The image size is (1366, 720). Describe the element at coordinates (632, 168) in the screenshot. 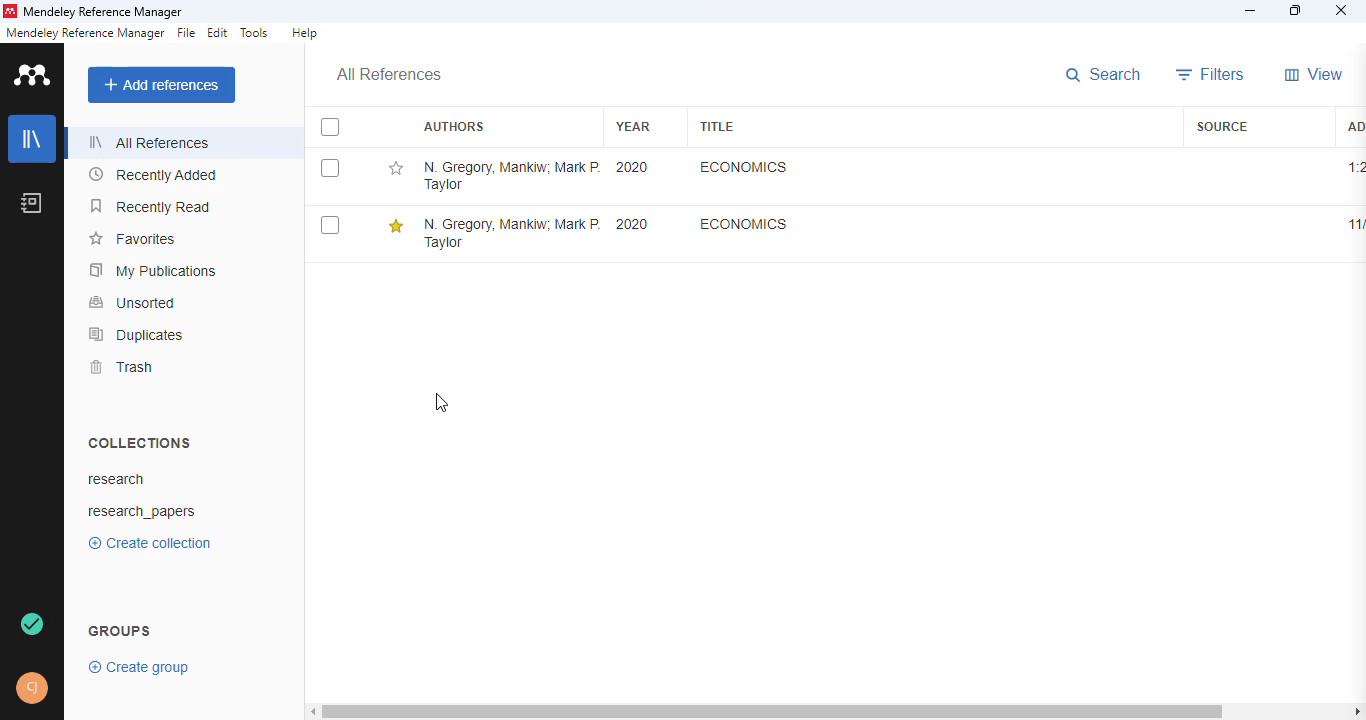

I see `2020` at that location.